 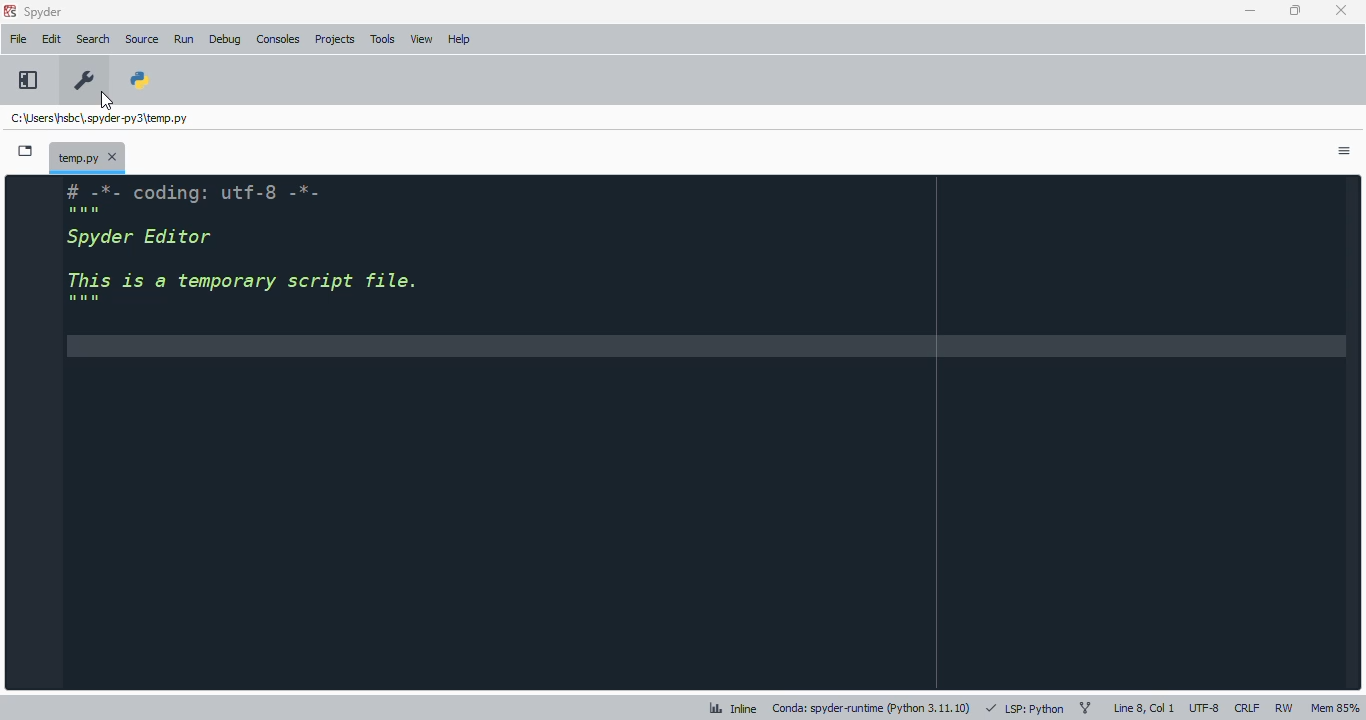 I want to click on conda: spyder-runtime (python 3. 11. 10), so click(x=871, y=707).